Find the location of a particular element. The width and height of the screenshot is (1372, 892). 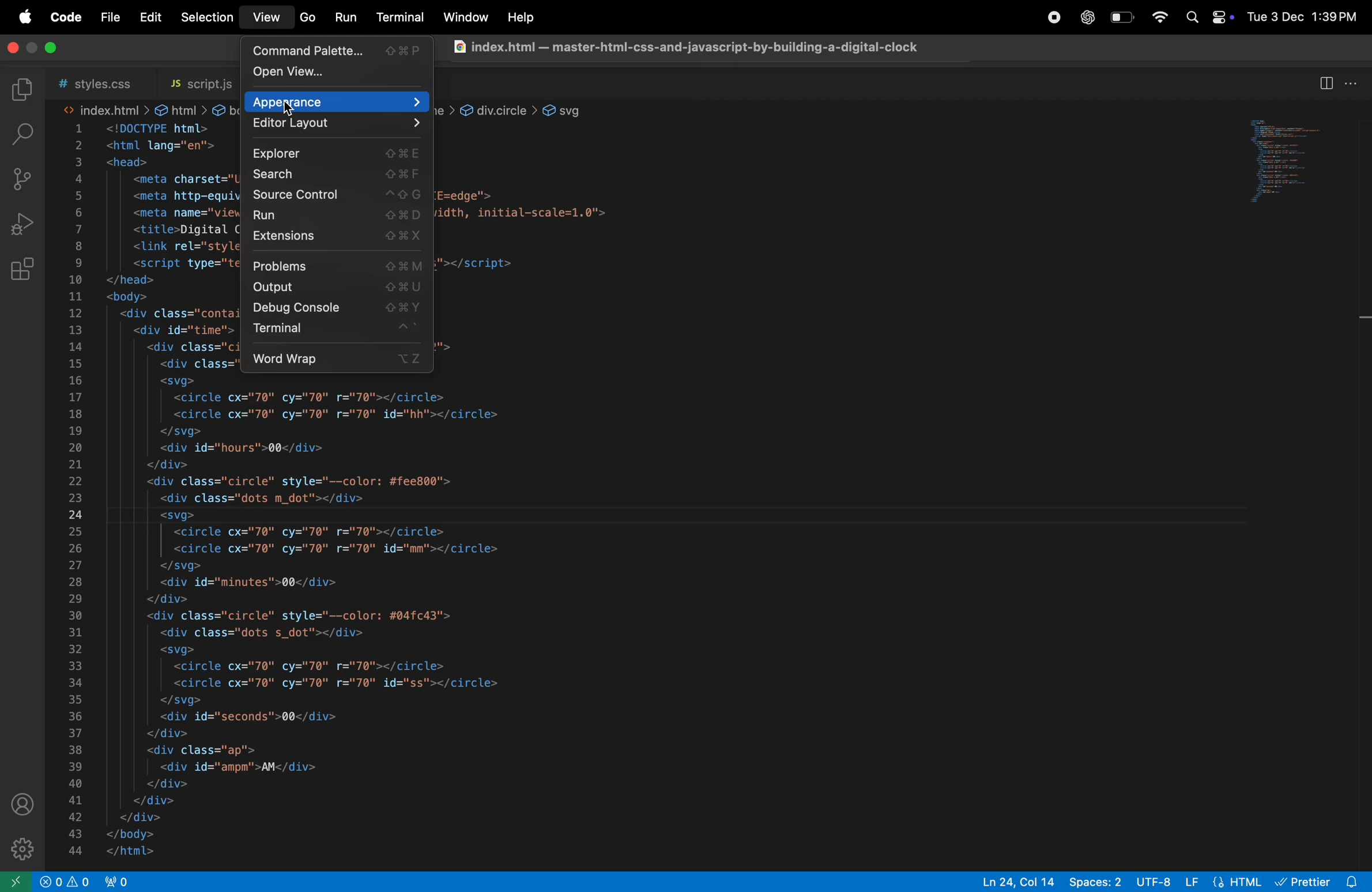

selection is located at coordinates (203, 17).